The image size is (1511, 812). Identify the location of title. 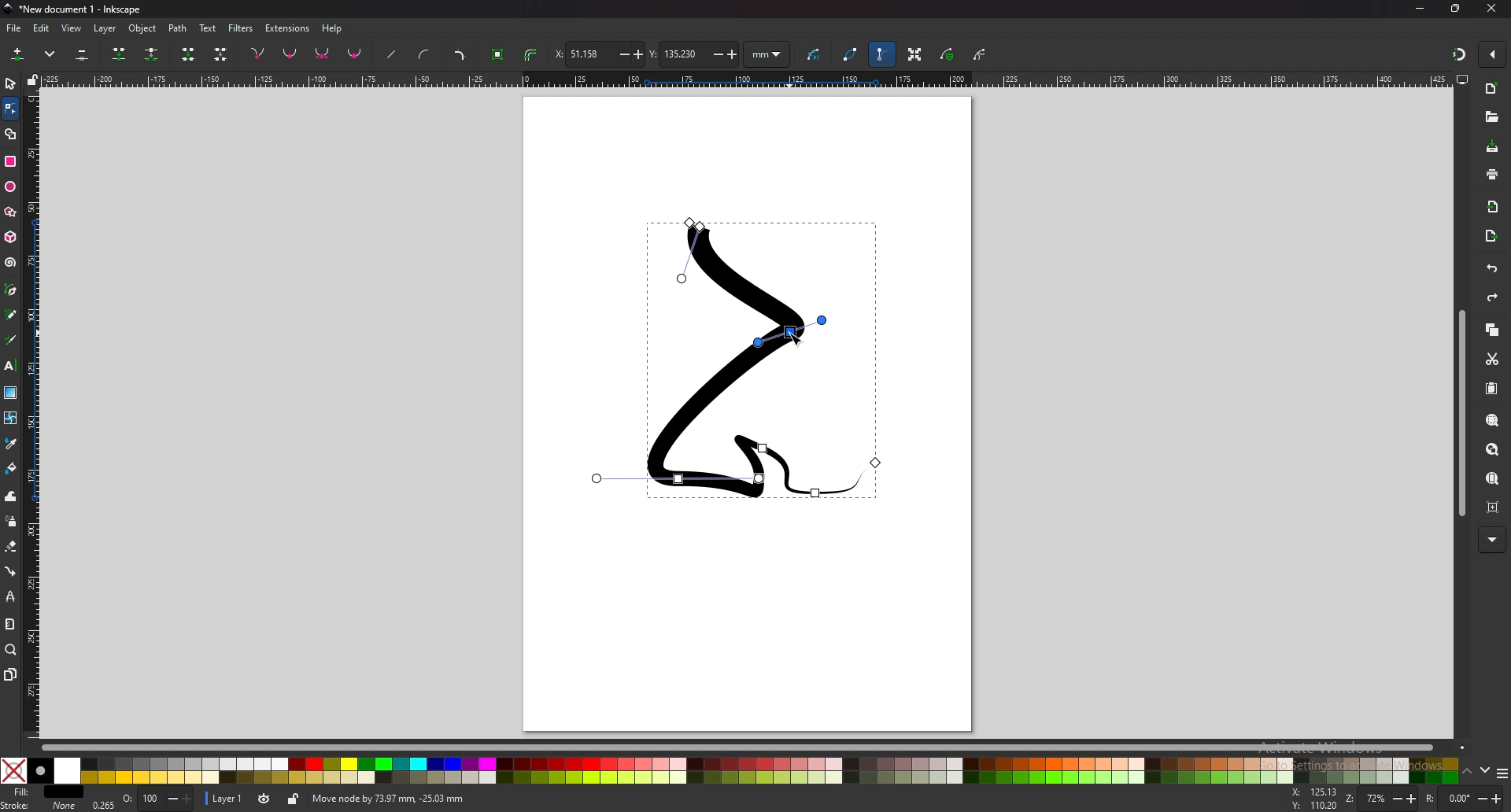
(86, 9).